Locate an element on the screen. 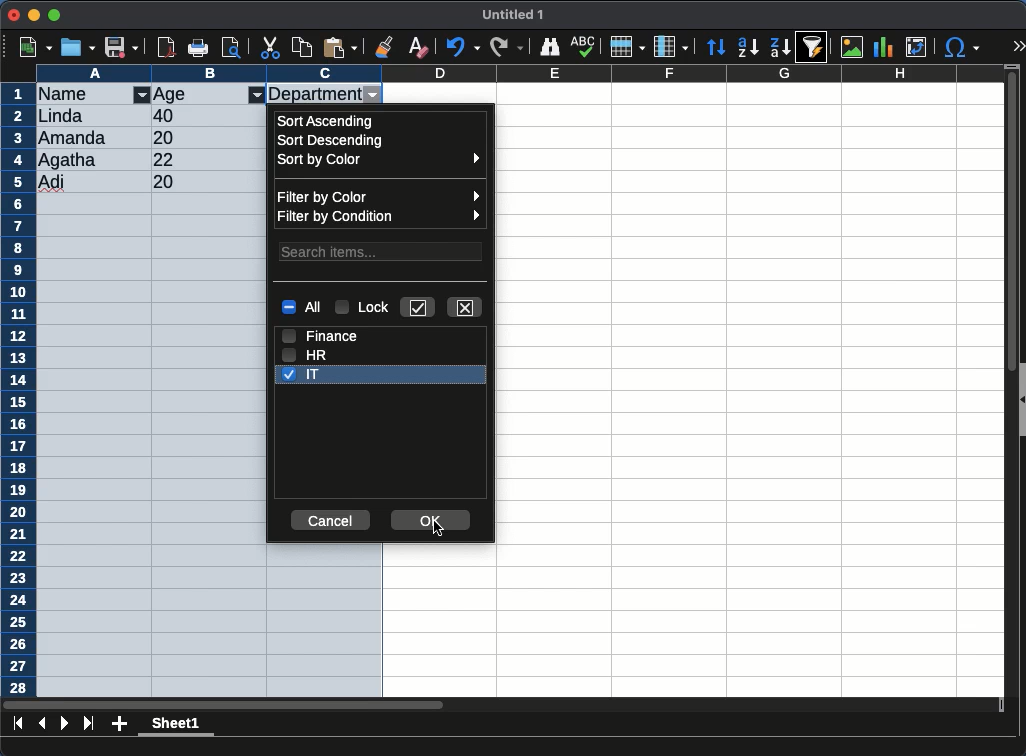  add is located at coordinates (119, 725).